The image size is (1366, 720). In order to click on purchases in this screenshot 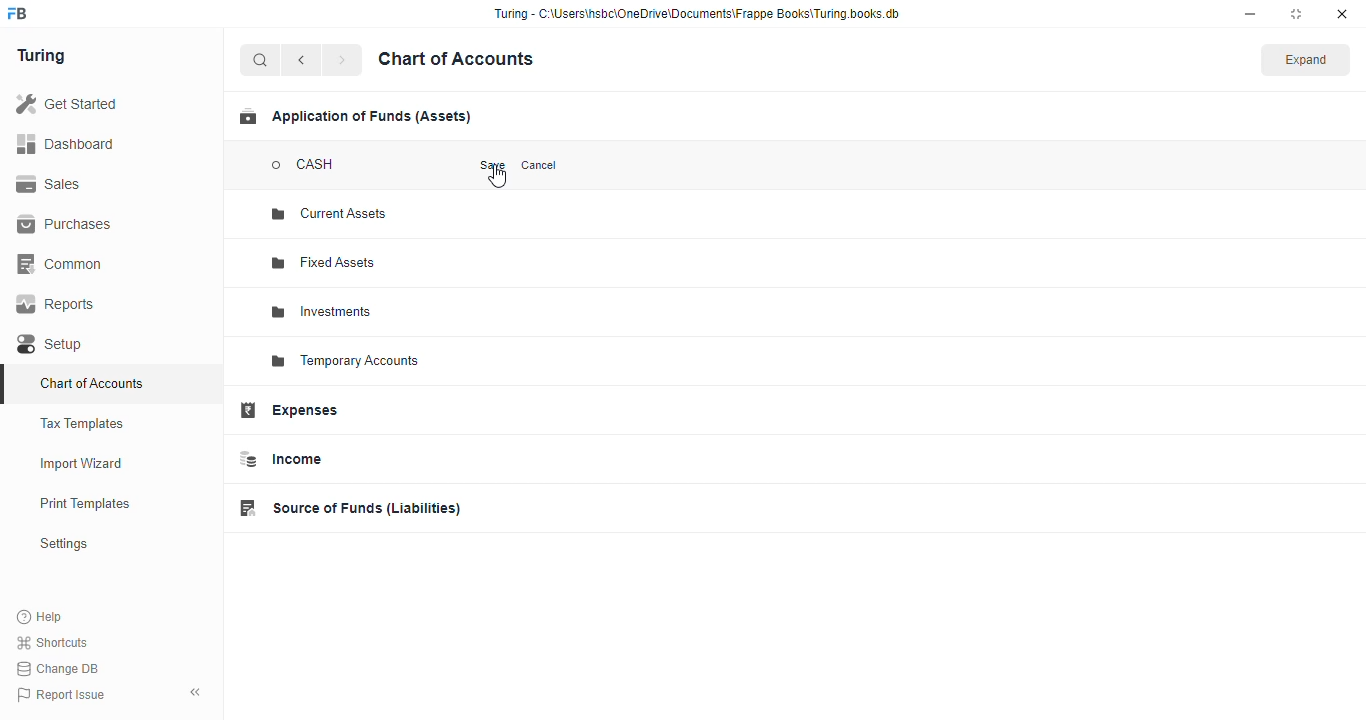, I will do `click(67, 225)`.